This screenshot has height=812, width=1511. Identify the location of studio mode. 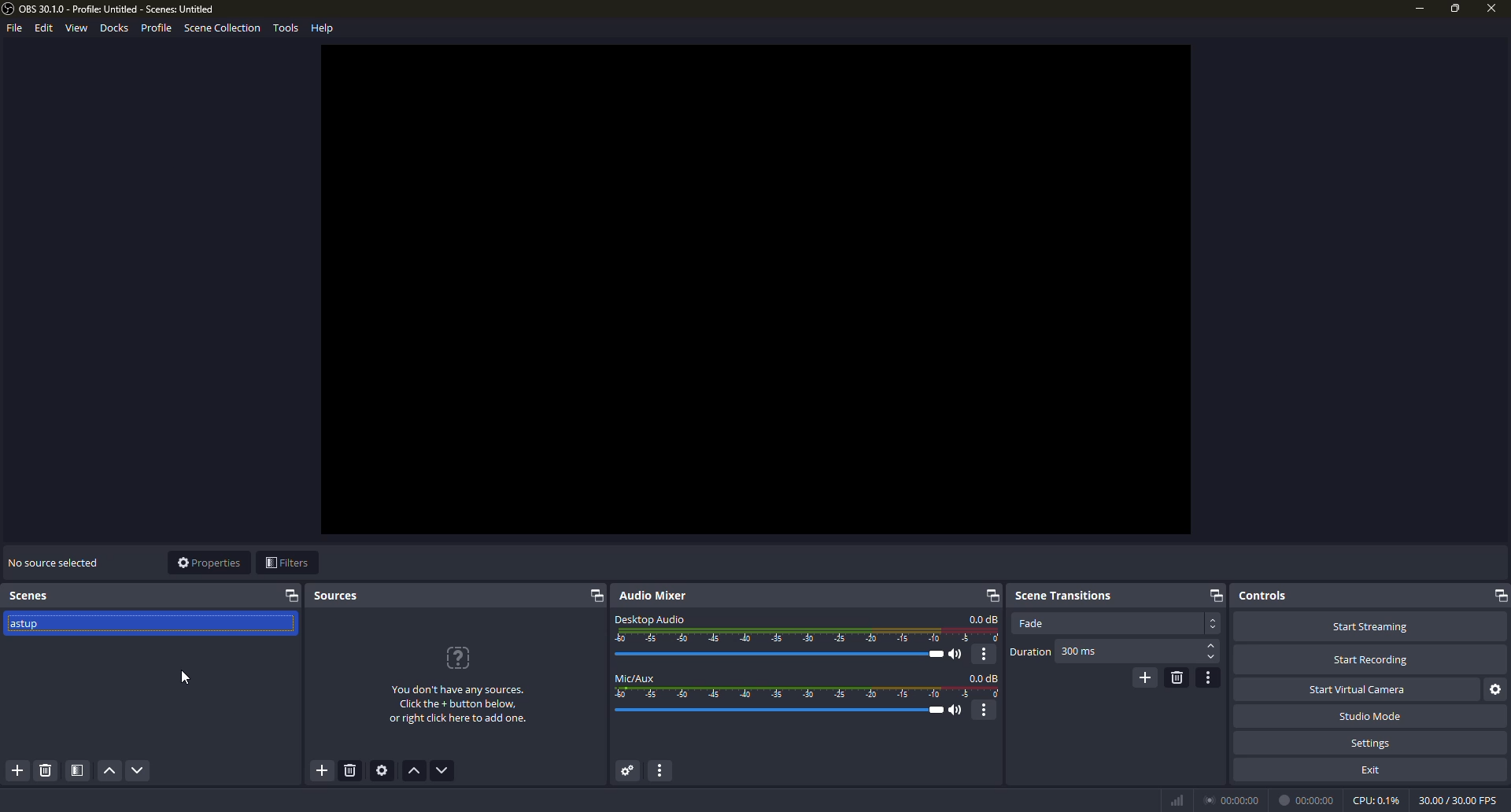
(1369, 716).